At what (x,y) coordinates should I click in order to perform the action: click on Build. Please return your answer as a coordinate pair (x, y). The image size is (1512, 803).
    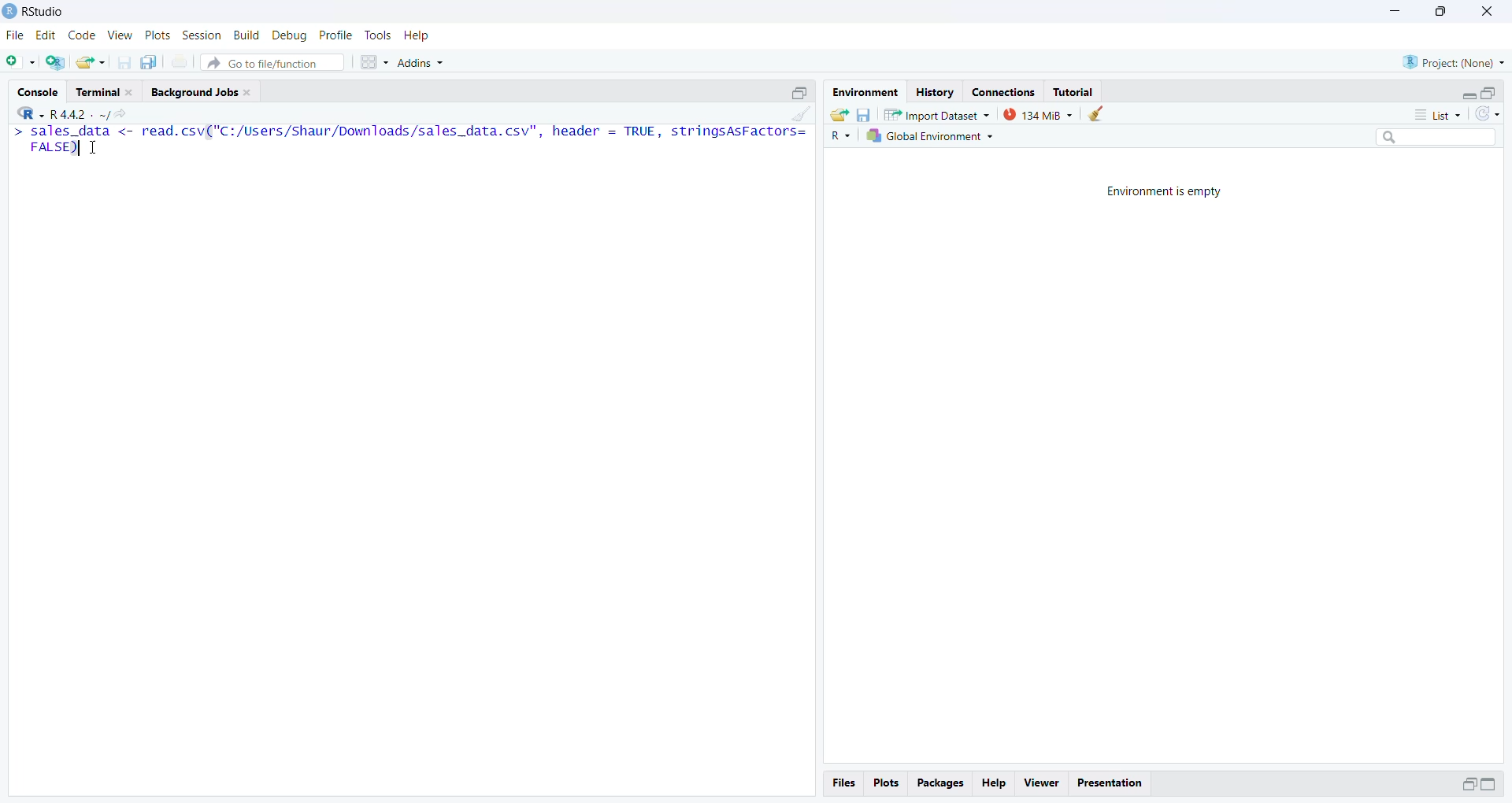
    Looking at the image, I should click on (247, 35).